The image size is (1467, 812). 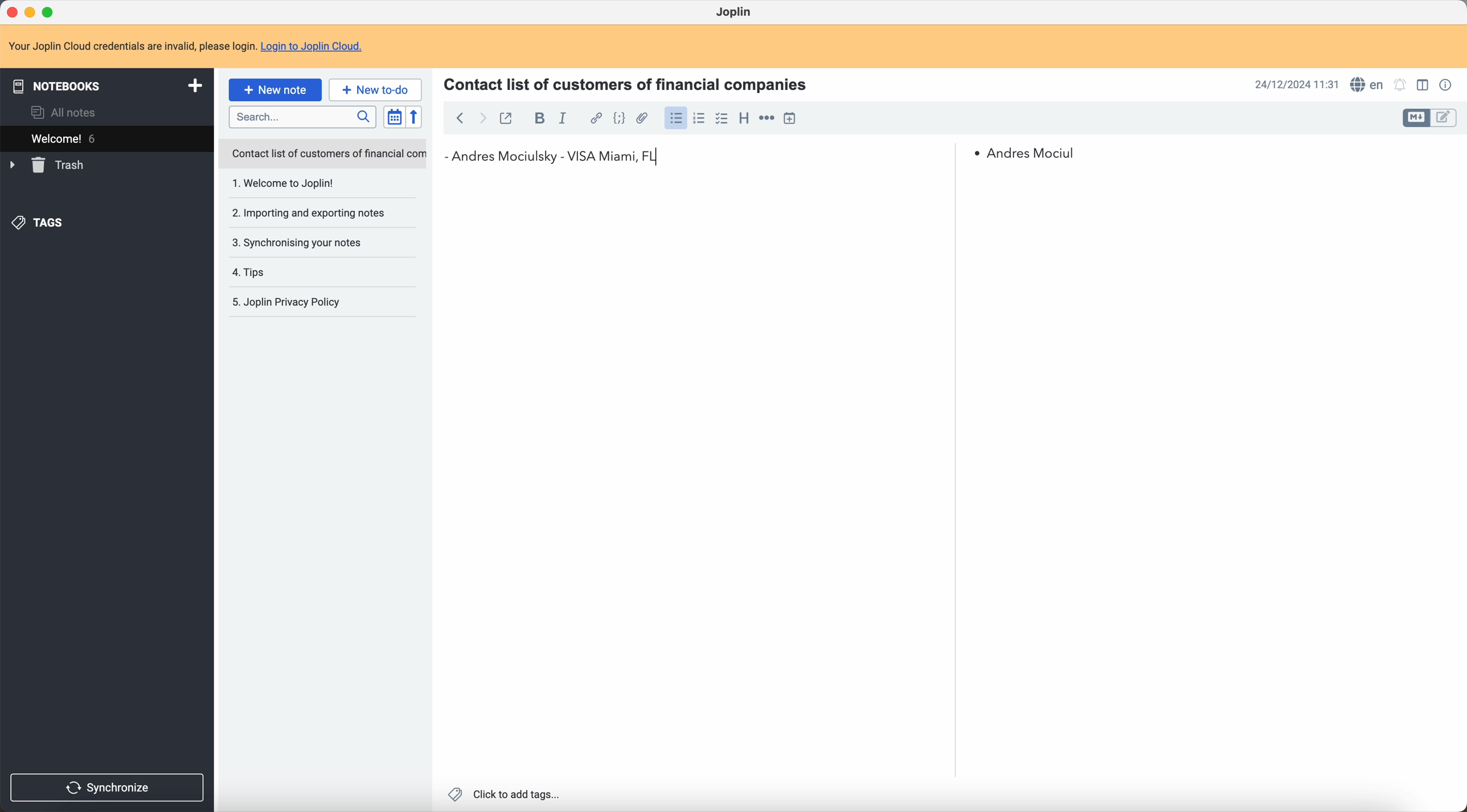 What do you see at coordinates (633, 83) in the screenshot?
I see `Contact list of customers of financial companies` at bounding box center [633, 83].